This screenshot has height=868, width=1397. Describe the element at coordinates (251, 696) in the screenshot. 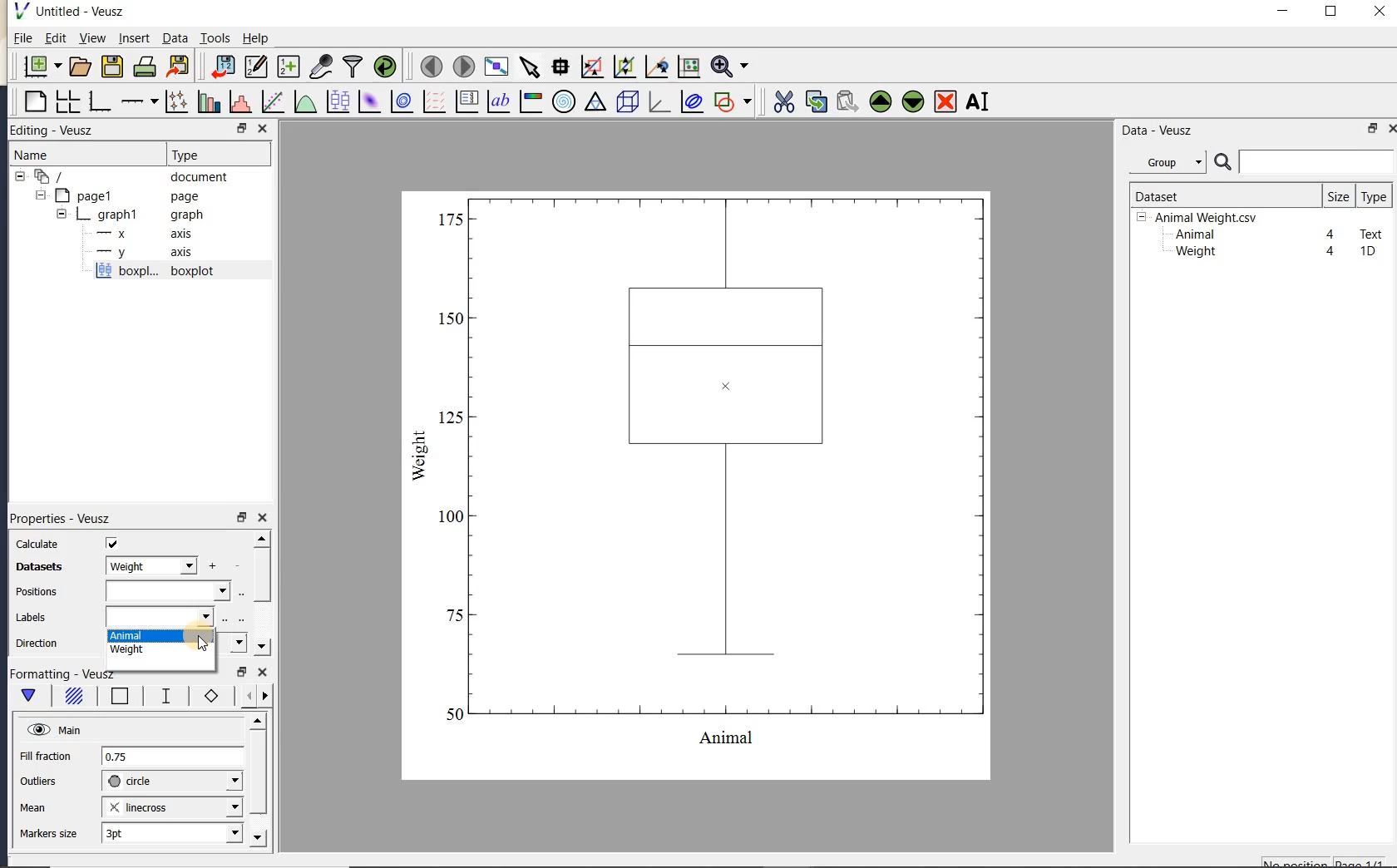

I see `minor ticks` at that location.